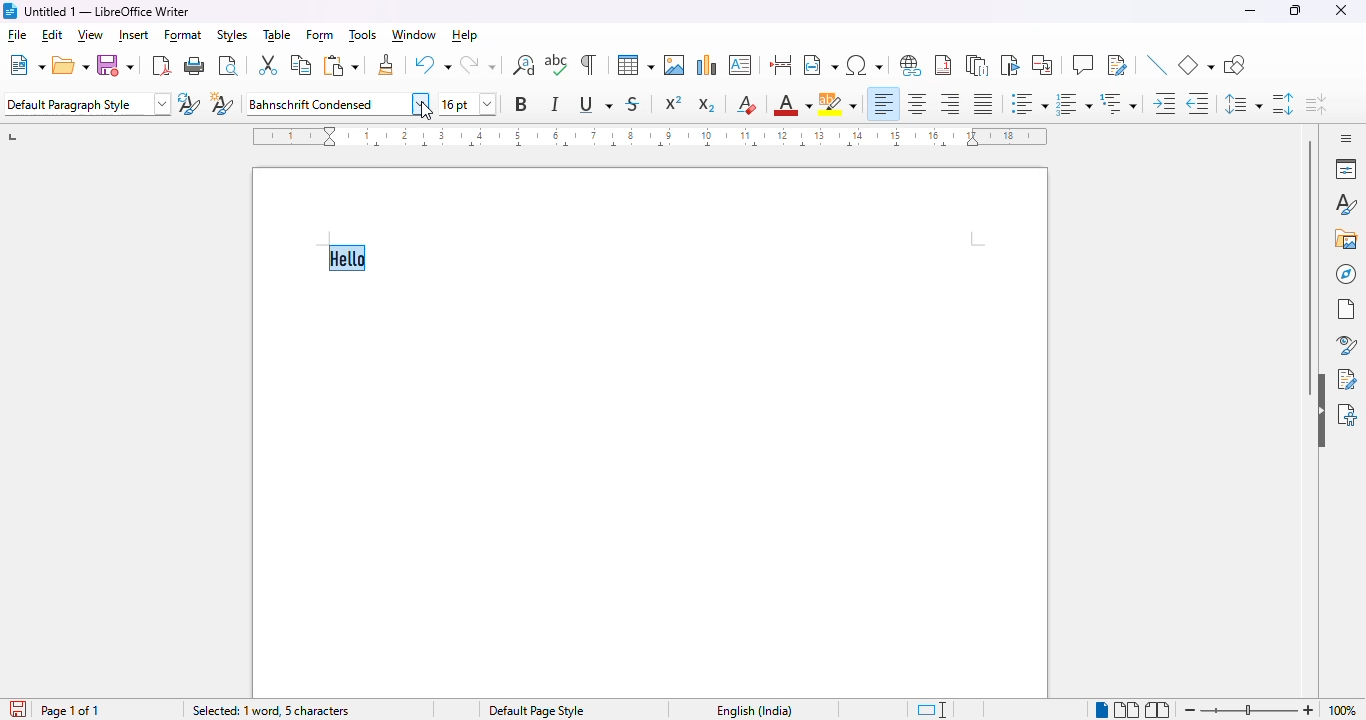 The image size is (1366, 720). Describe the element at coordinates (1156, 64) in the screenshot. I see `insert line` at that location.